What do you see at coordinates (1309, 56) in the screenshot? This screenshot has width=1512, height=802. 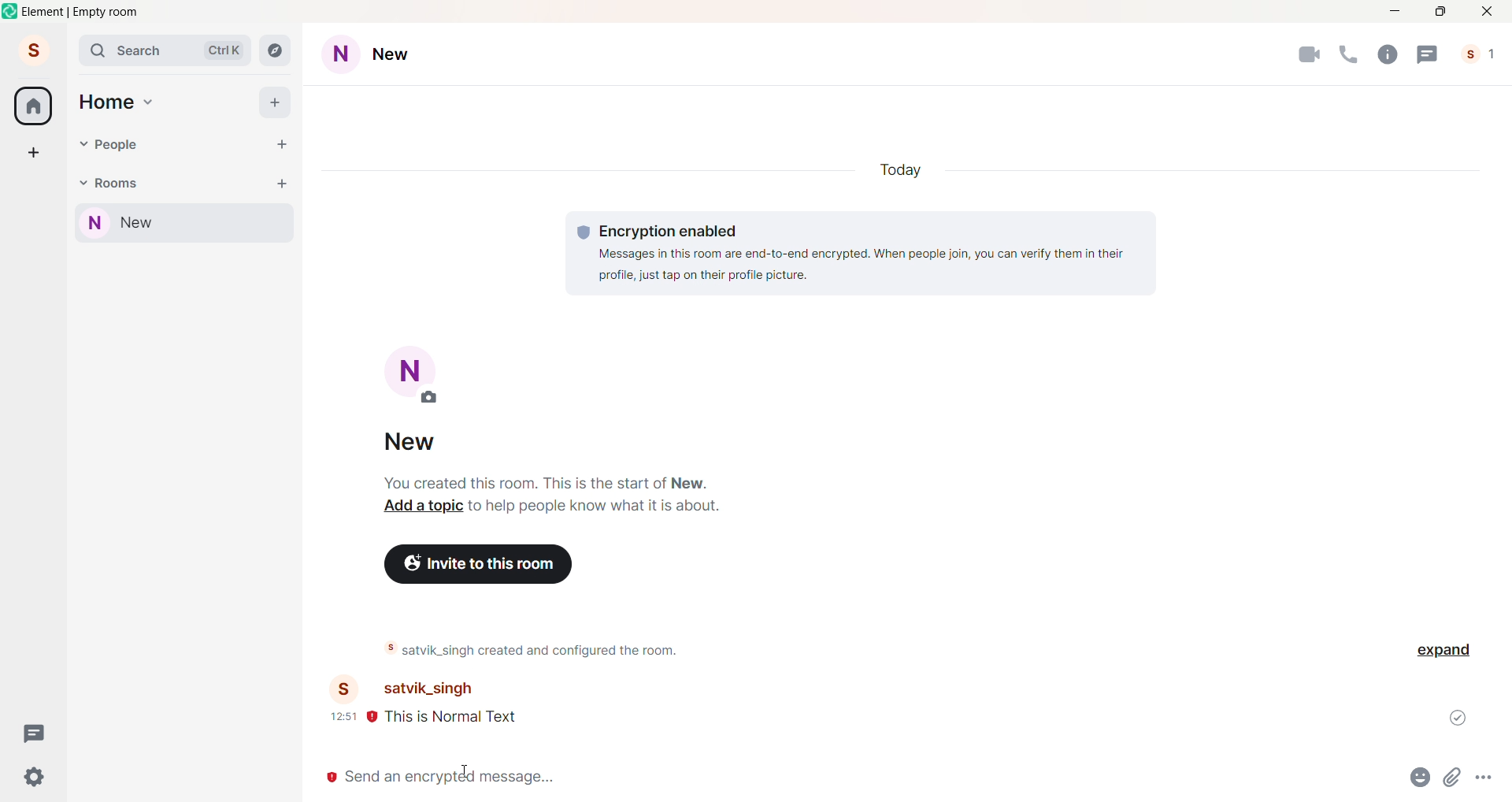 I see `Video Call` at bounding box center [1309, 56].